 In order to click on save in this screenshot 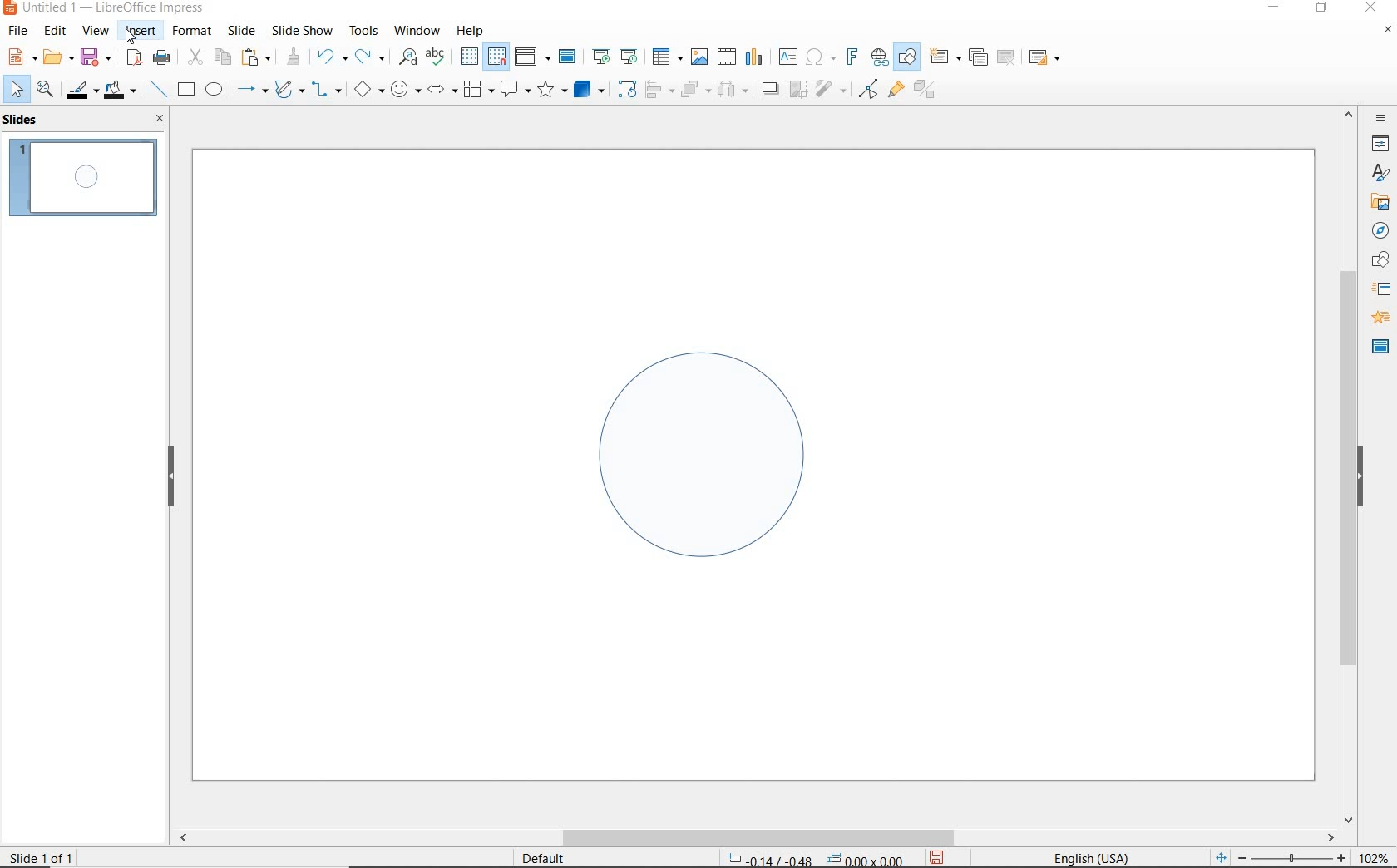, I will do `click(96, 56)`.